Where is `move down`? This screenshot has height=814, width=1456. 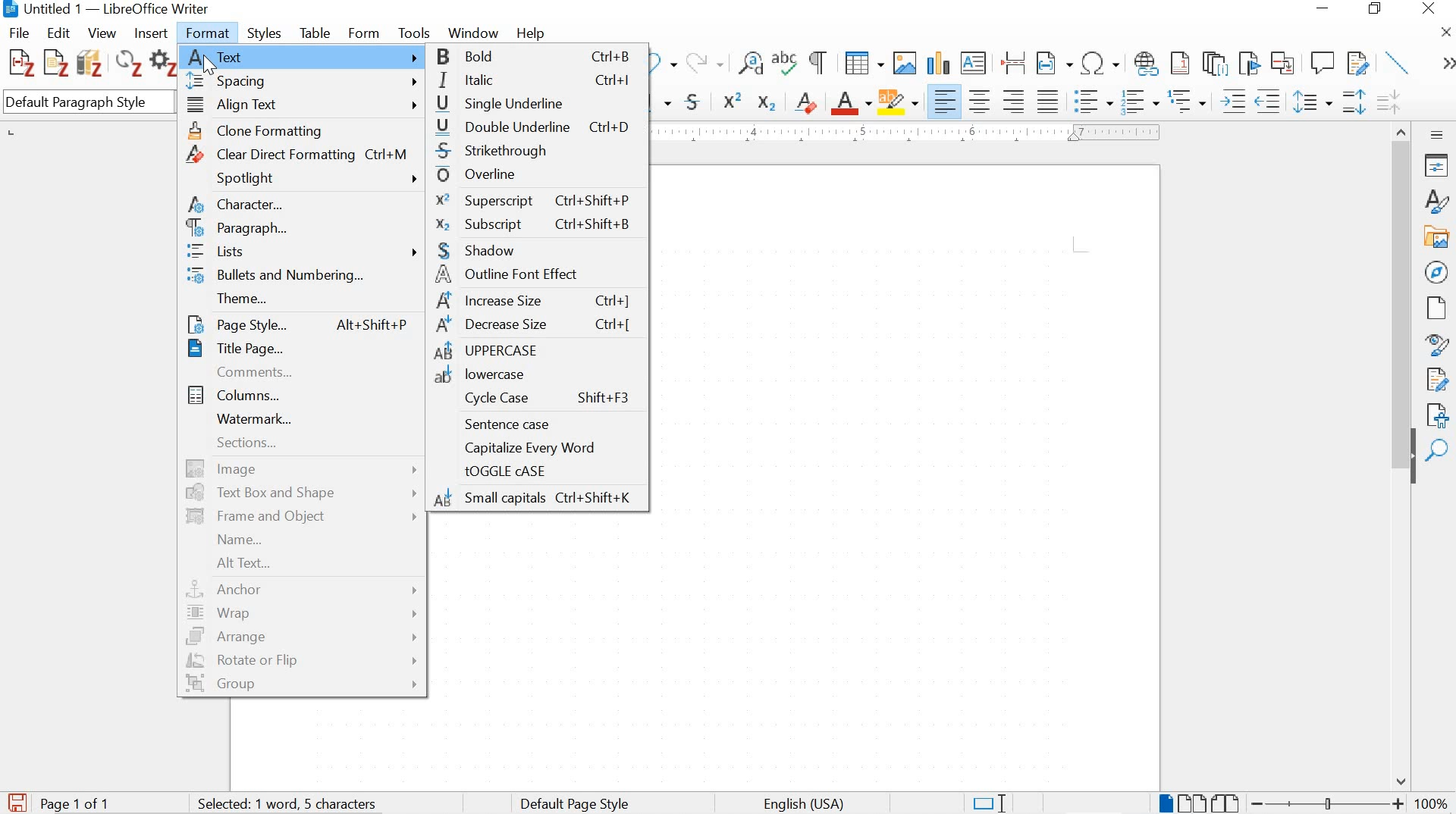 move down is located at coordinates (1402, 781).